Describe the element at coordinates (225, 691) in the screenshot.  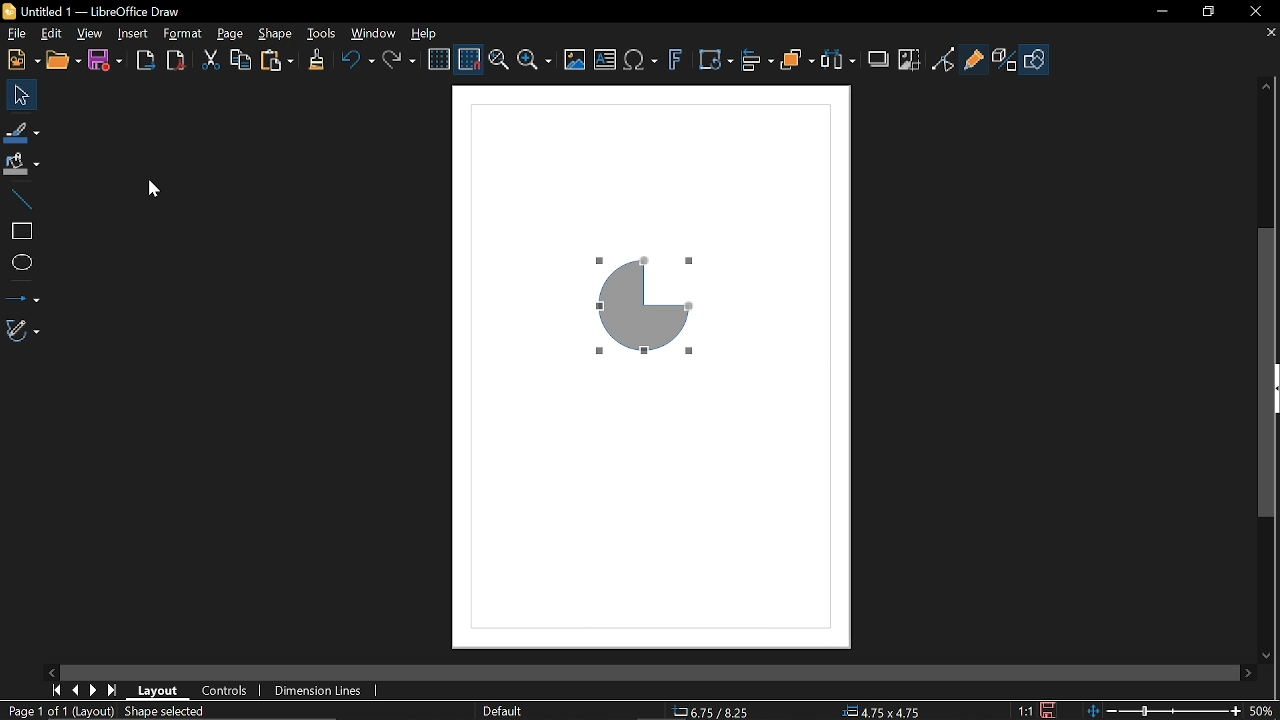
I see `Controls` at that location.